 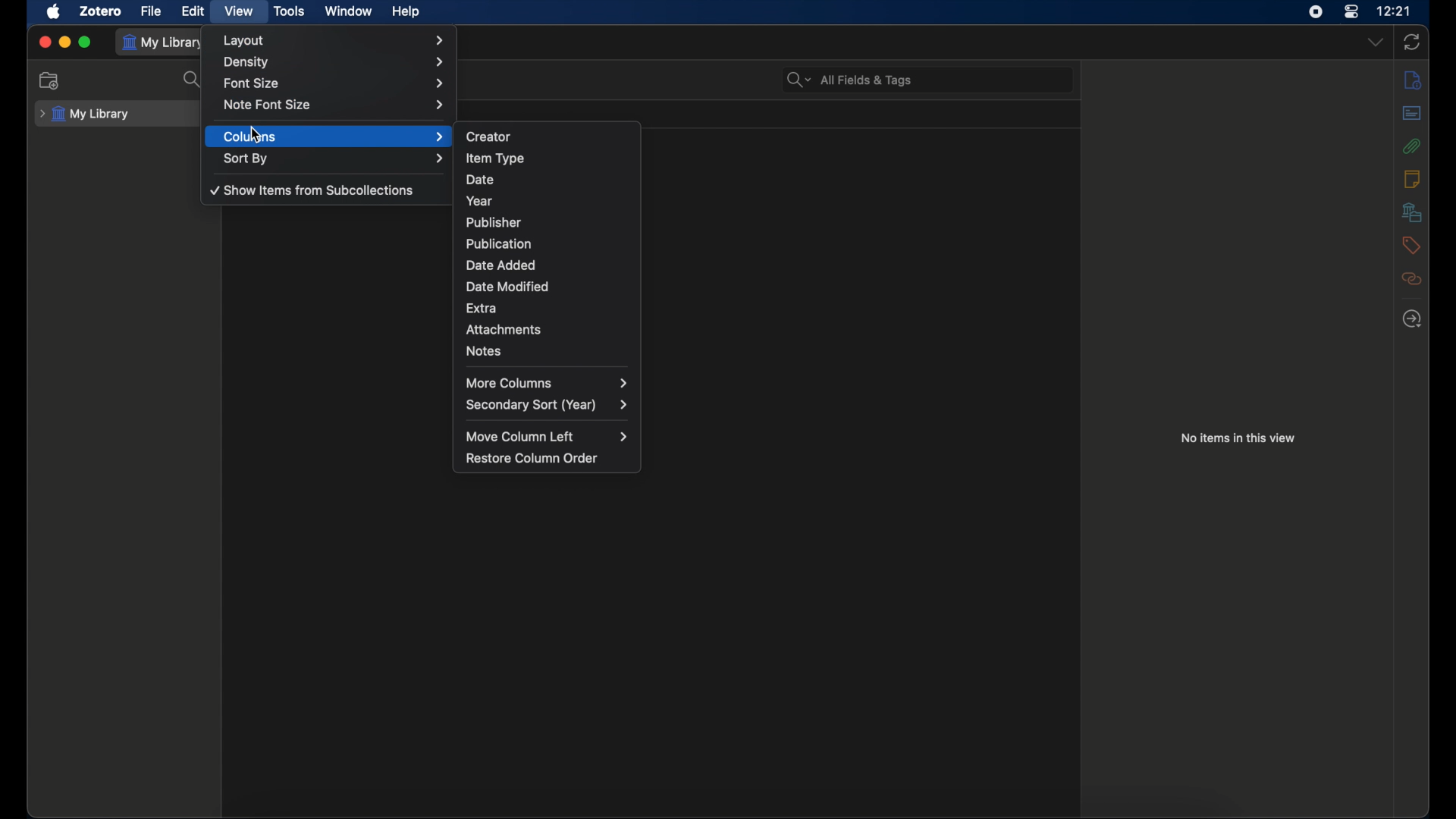 I want to click on file, so click(x=152, y=11).